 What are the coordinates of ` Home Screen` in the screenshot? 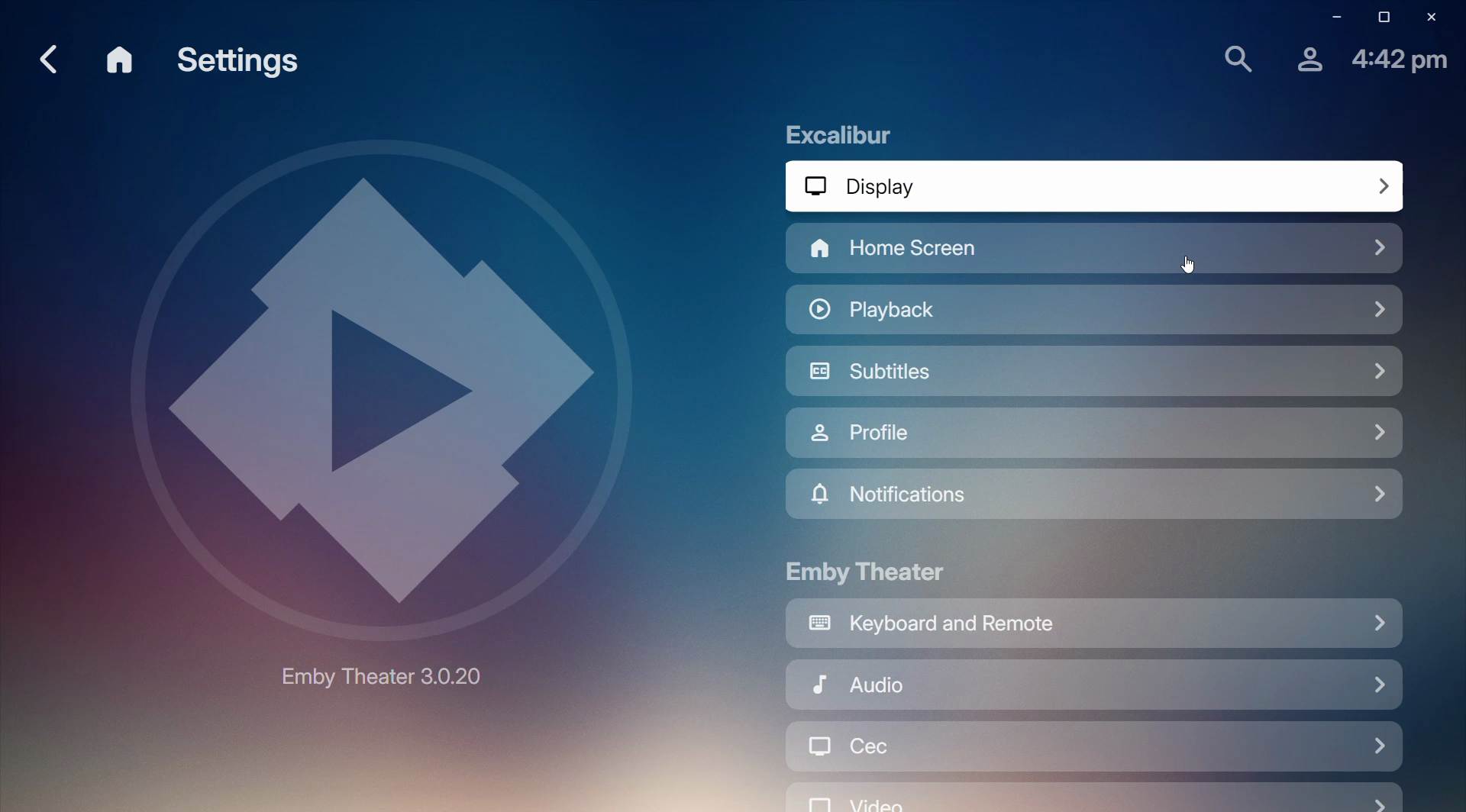 It's located at (1090, 246).